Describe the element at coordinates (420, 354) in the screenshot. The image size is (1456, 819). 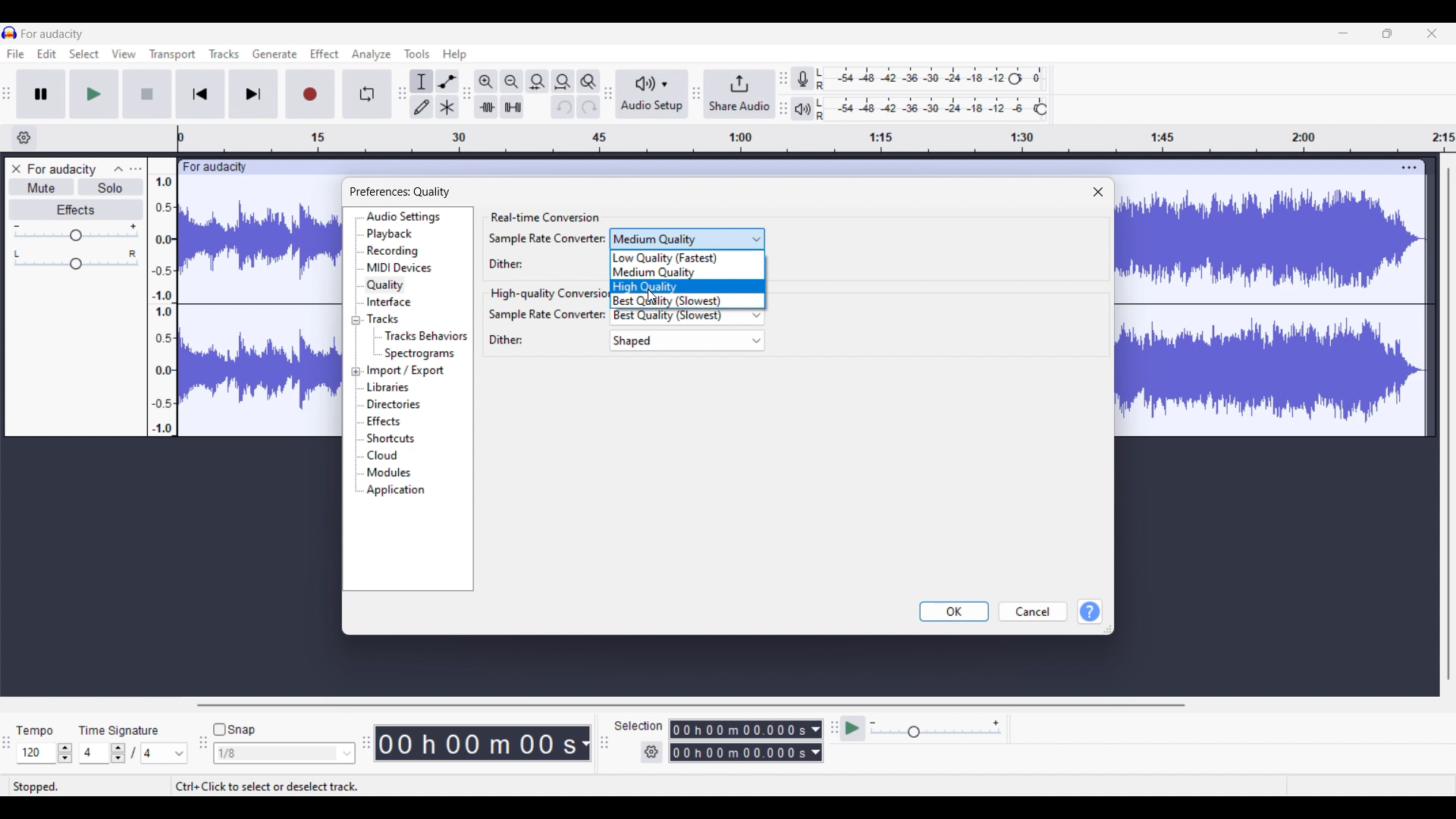
I see `Spectograms` at that location.